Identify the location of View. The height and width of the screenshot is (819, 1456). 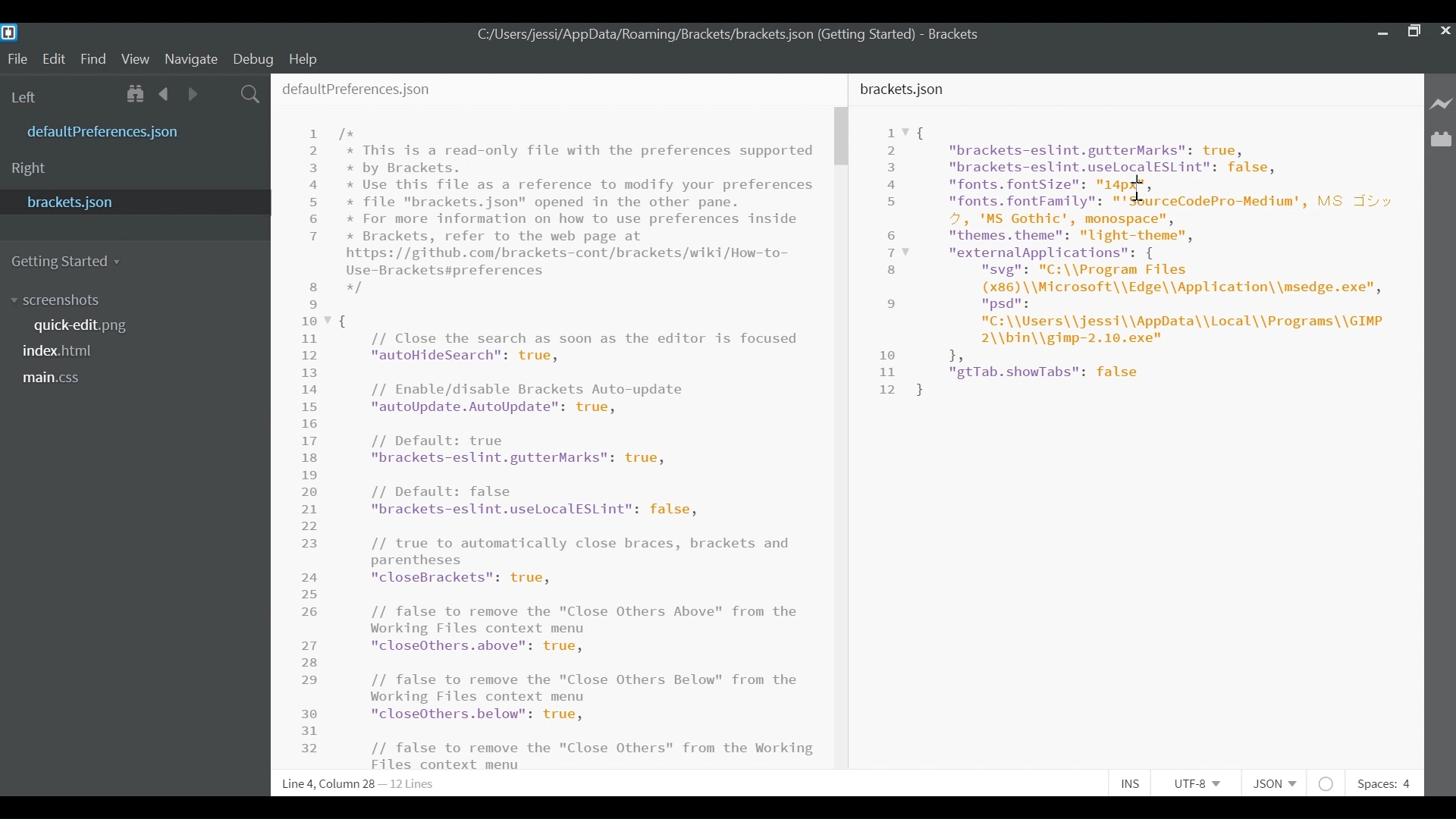
(136, 60).